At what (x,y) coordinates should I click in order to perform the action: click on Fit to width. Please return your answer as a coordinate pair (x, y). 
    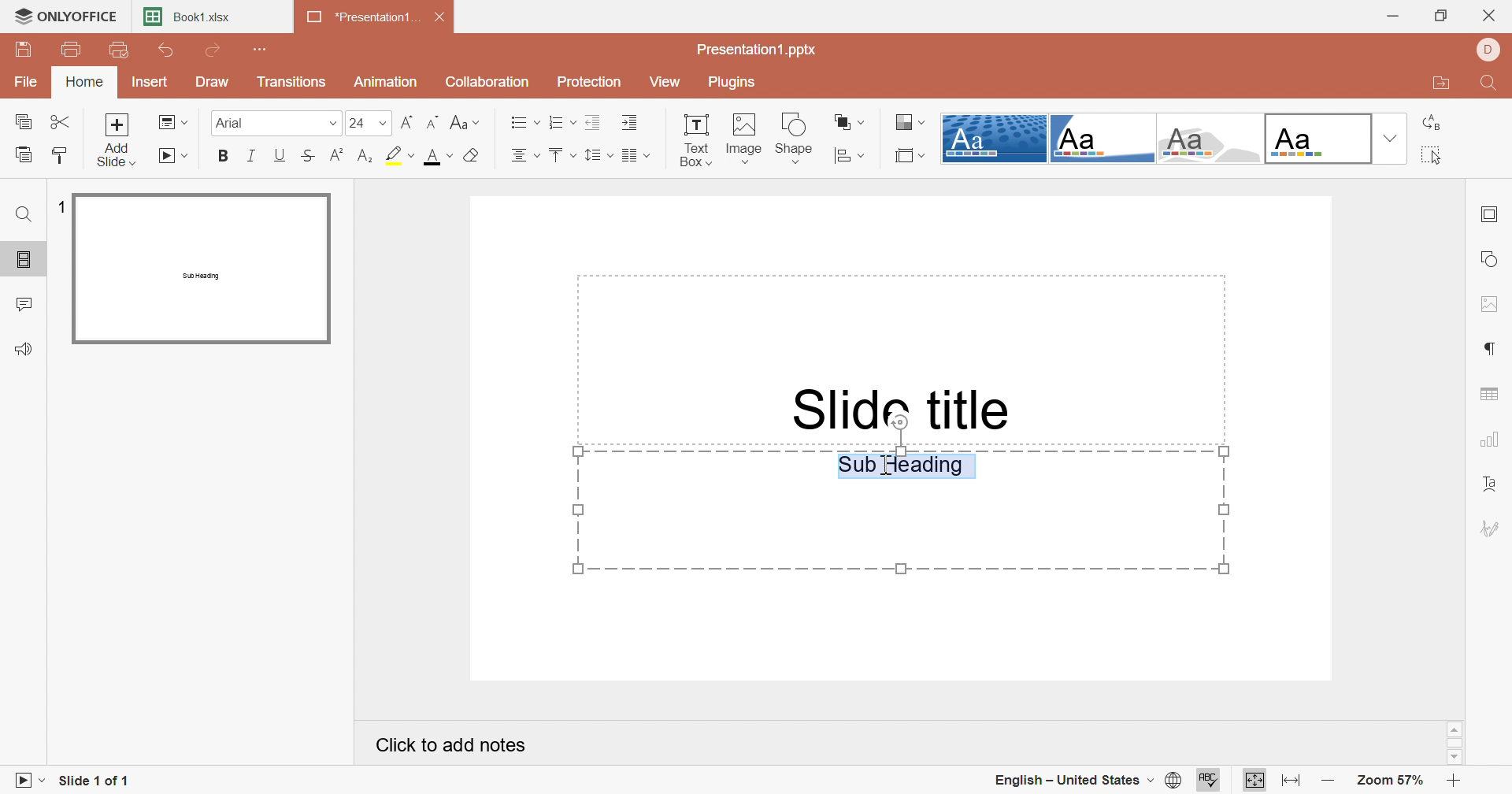
    Looking at the image, I should click on (1290, 777).